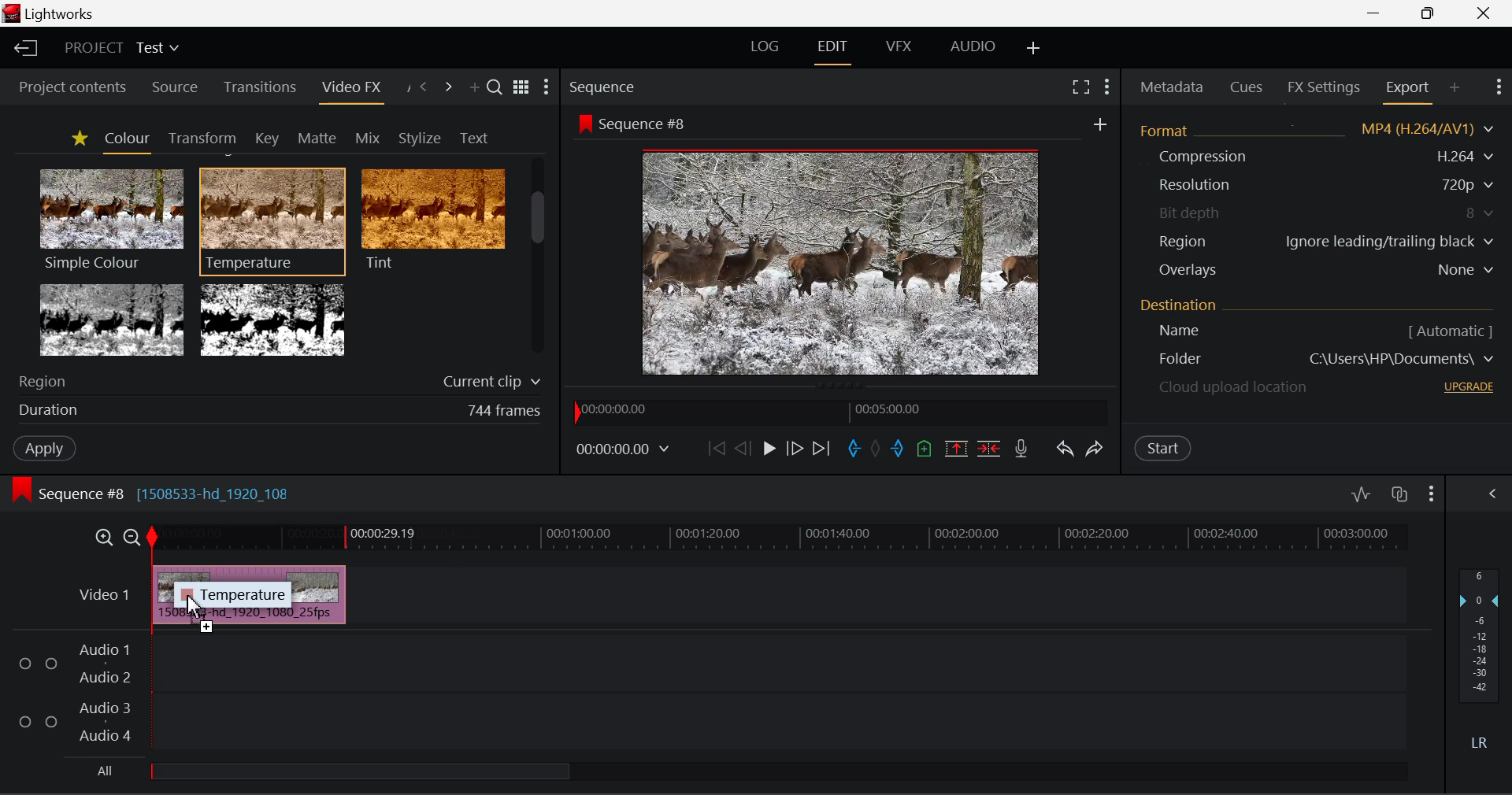 This screenshot has height=795, width=1512. I want to click on Temperature, so click(273, 219).